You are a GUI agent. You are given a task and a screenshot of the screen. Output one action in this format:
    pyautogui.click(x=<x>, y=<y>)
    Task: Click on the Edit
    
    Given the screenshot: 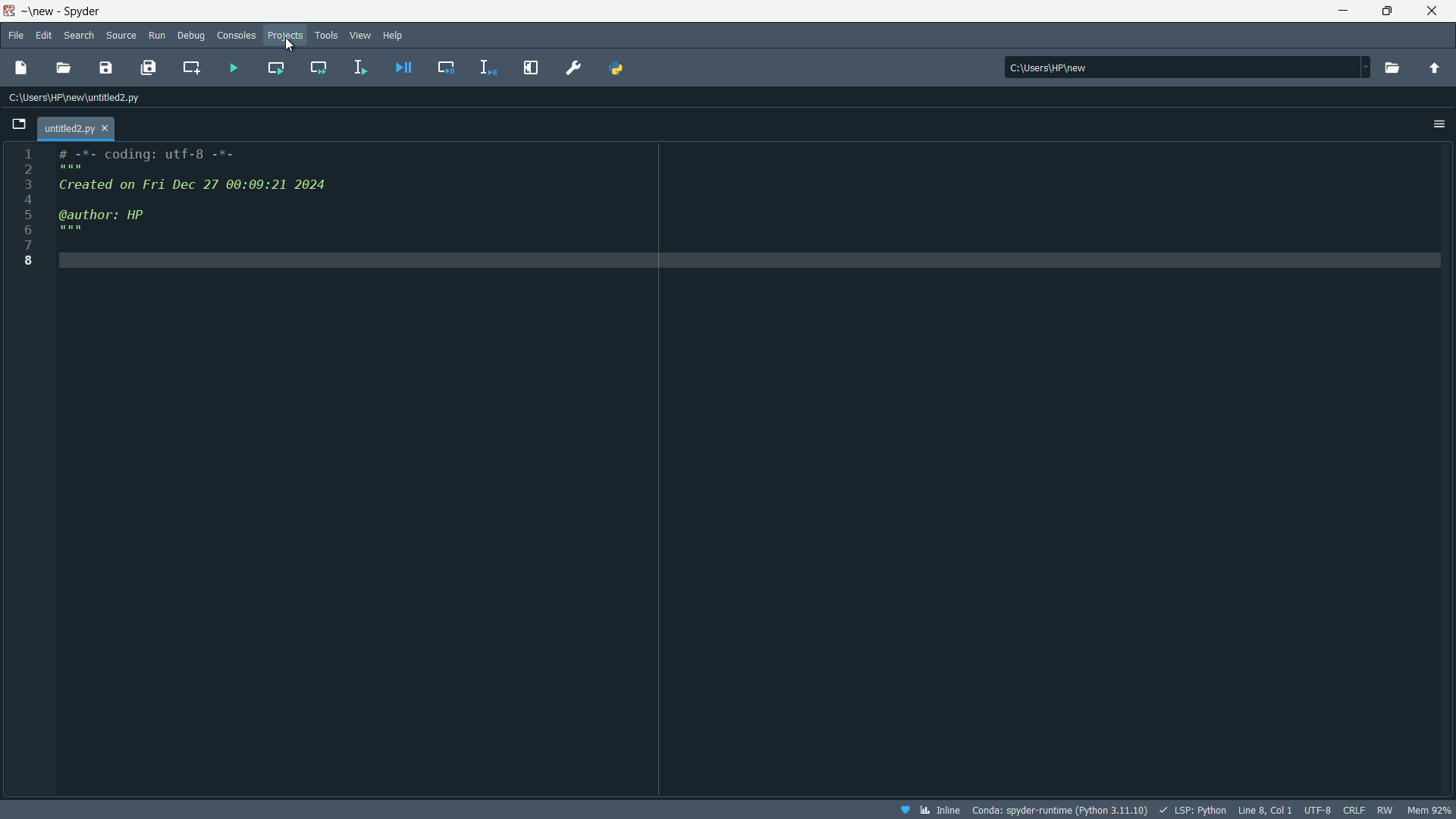 What is the action you would take?
    pyautogui.click(x=45, y=33)
    